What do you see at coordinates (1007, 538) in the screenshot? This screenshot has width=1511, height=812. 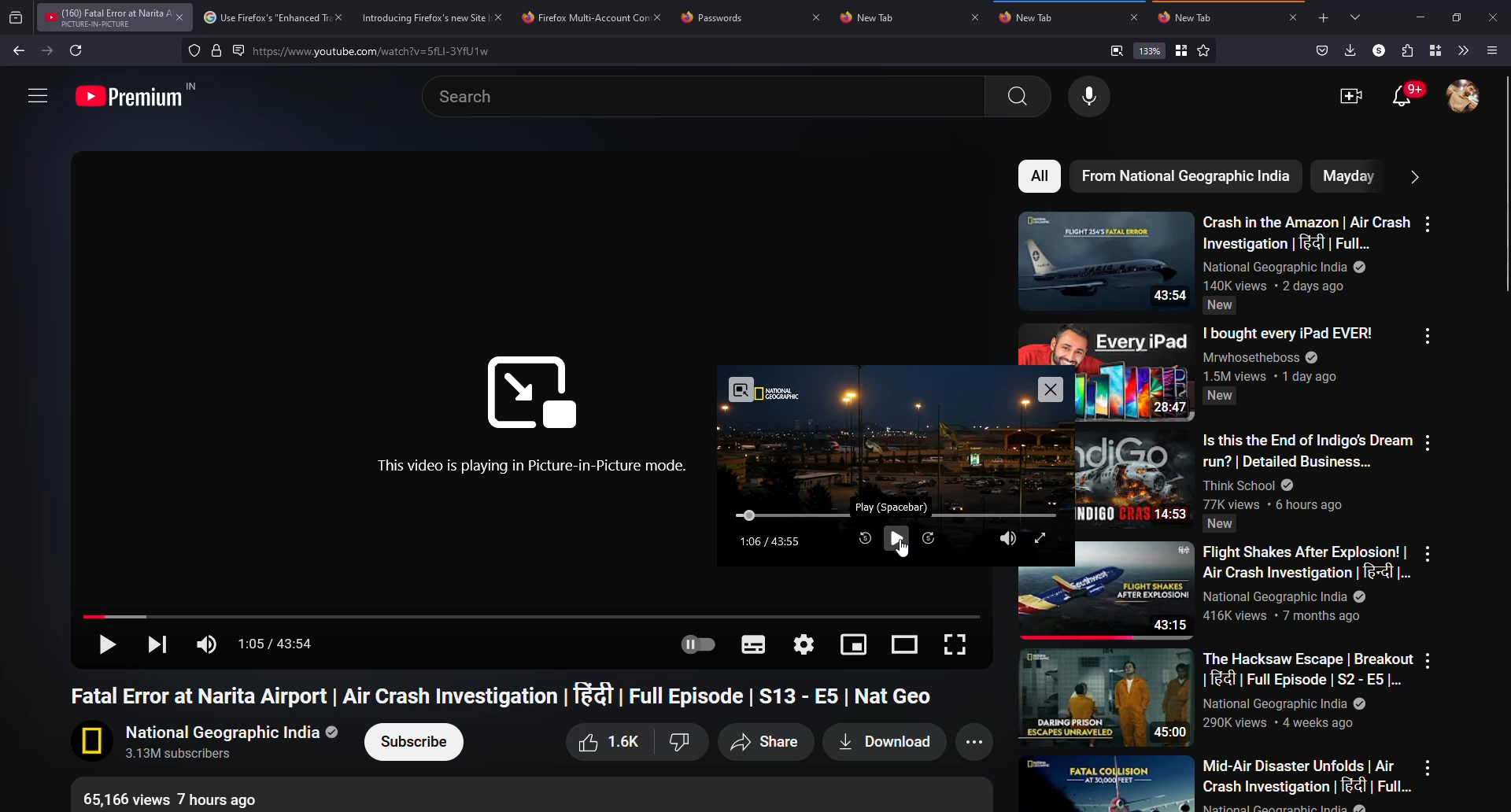 I see `soud` at bounding box center [1007, 538].